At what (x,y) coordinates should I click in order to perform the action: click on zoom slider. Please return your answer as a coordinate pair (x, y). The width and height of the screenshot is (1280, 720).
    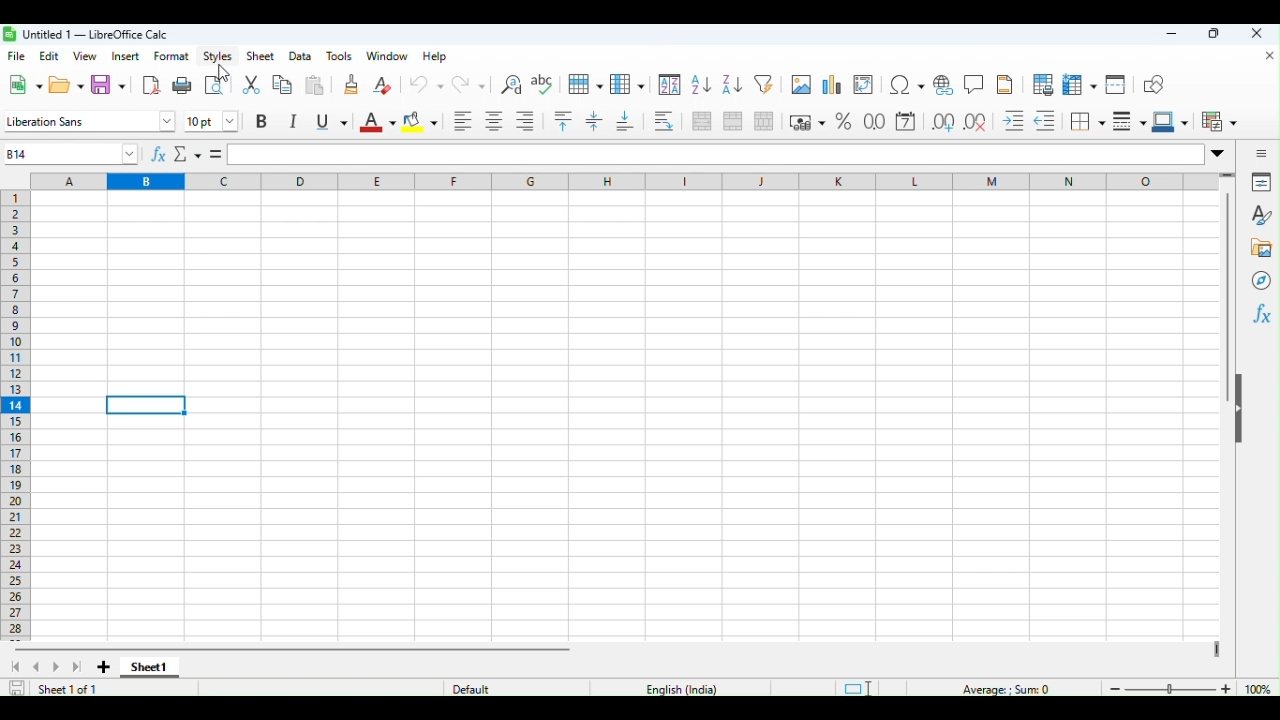
    Looking at the image, I should click on (1167, 688).